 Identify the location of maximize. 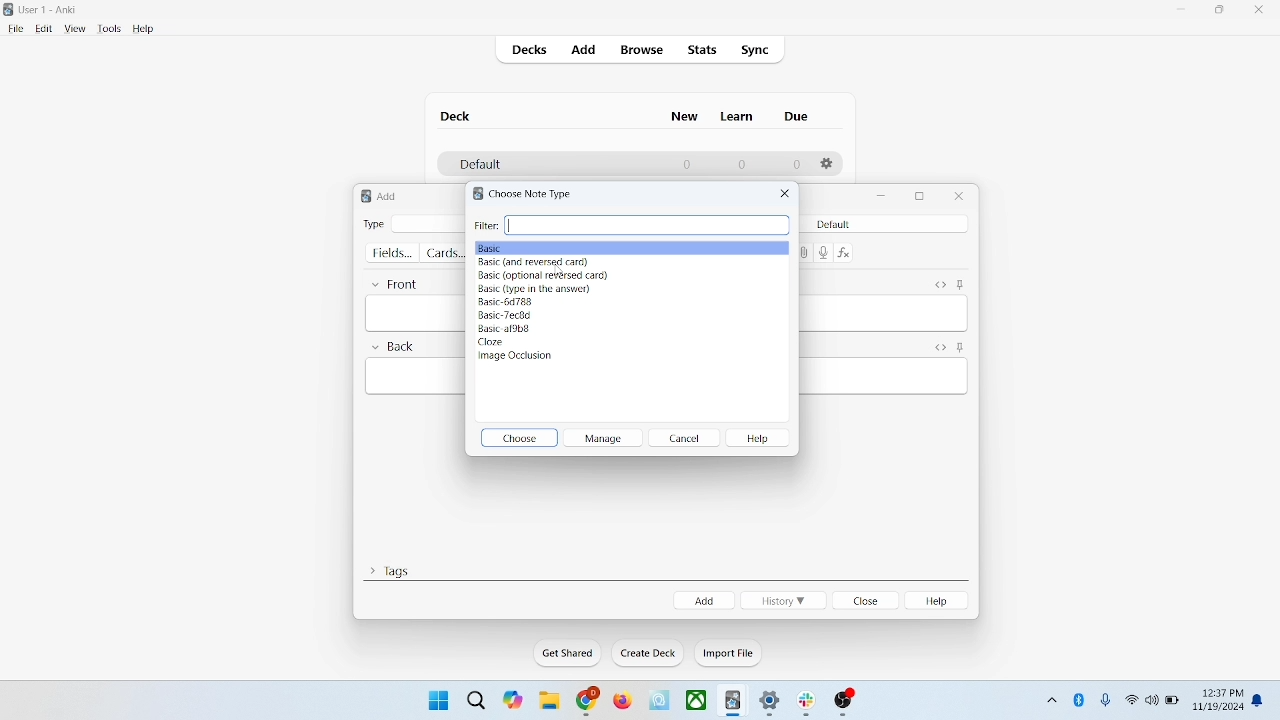
(1220, 13).